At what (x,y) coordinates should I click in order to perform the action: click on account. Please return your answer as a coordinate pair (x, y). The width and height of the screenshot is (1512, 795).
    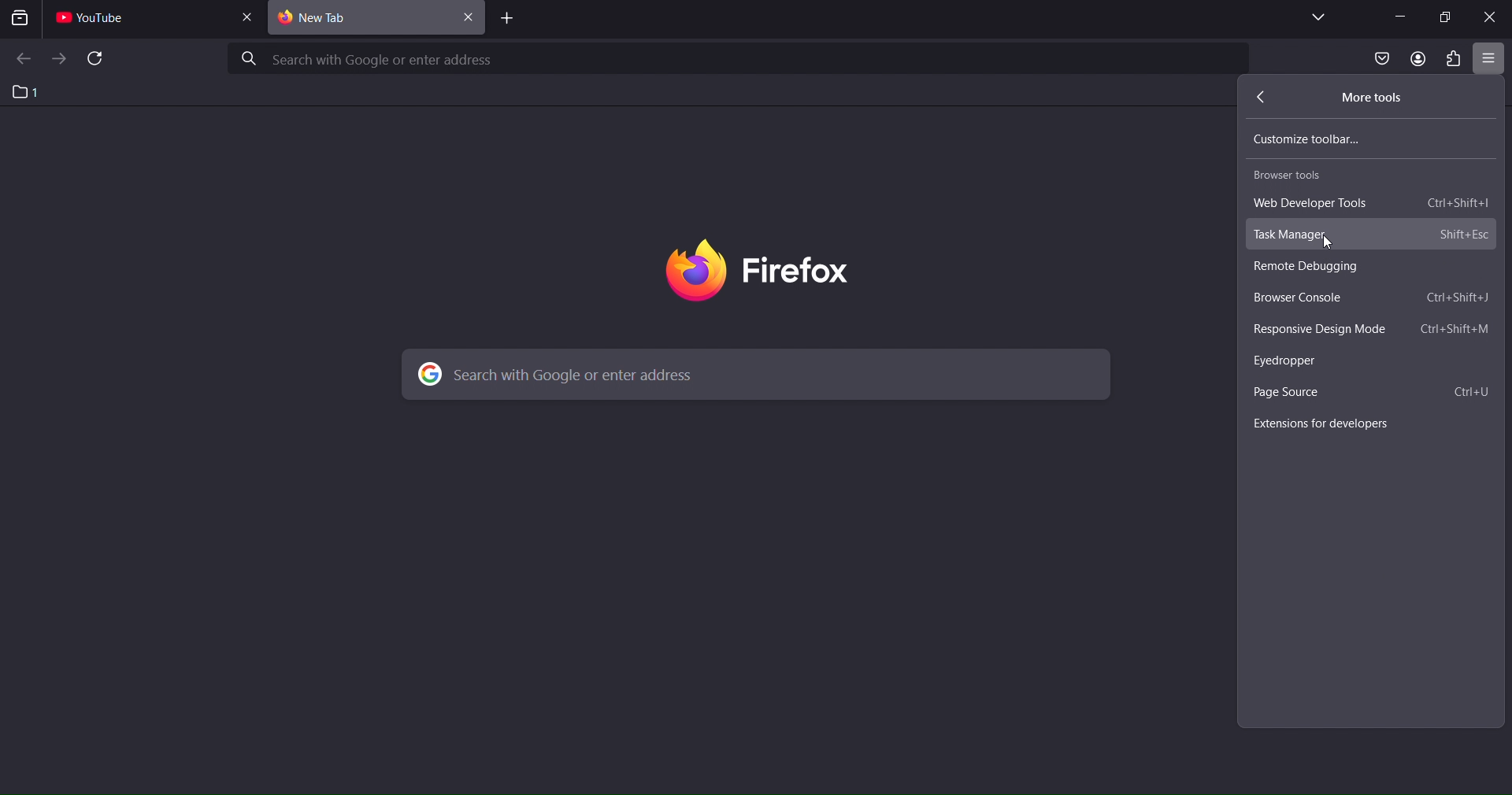
    Looking at the image, I should click on (1414, 58).